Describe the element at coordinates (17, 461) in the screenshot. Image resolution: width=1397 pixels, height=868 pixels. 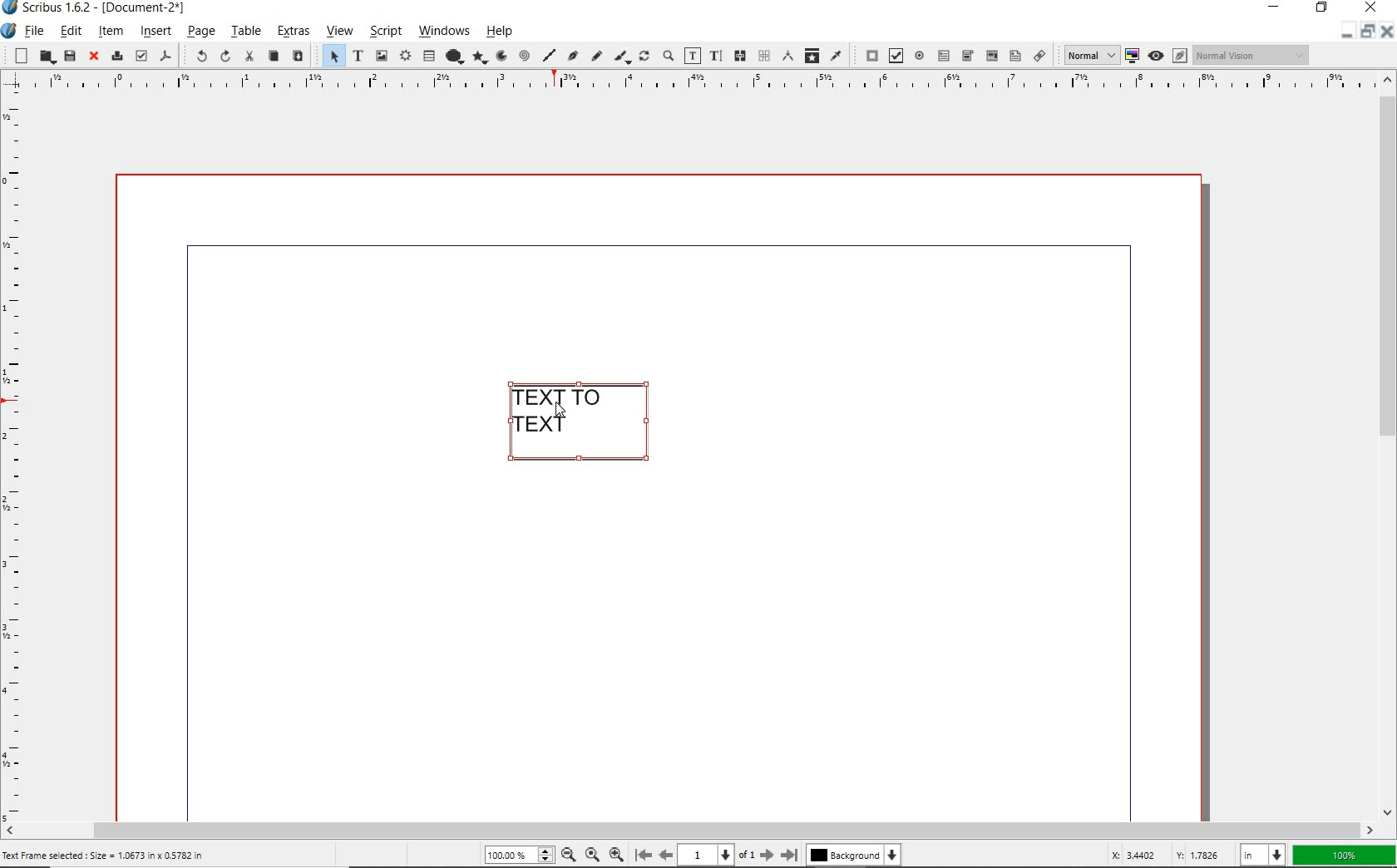
I see `ruler` at that location.